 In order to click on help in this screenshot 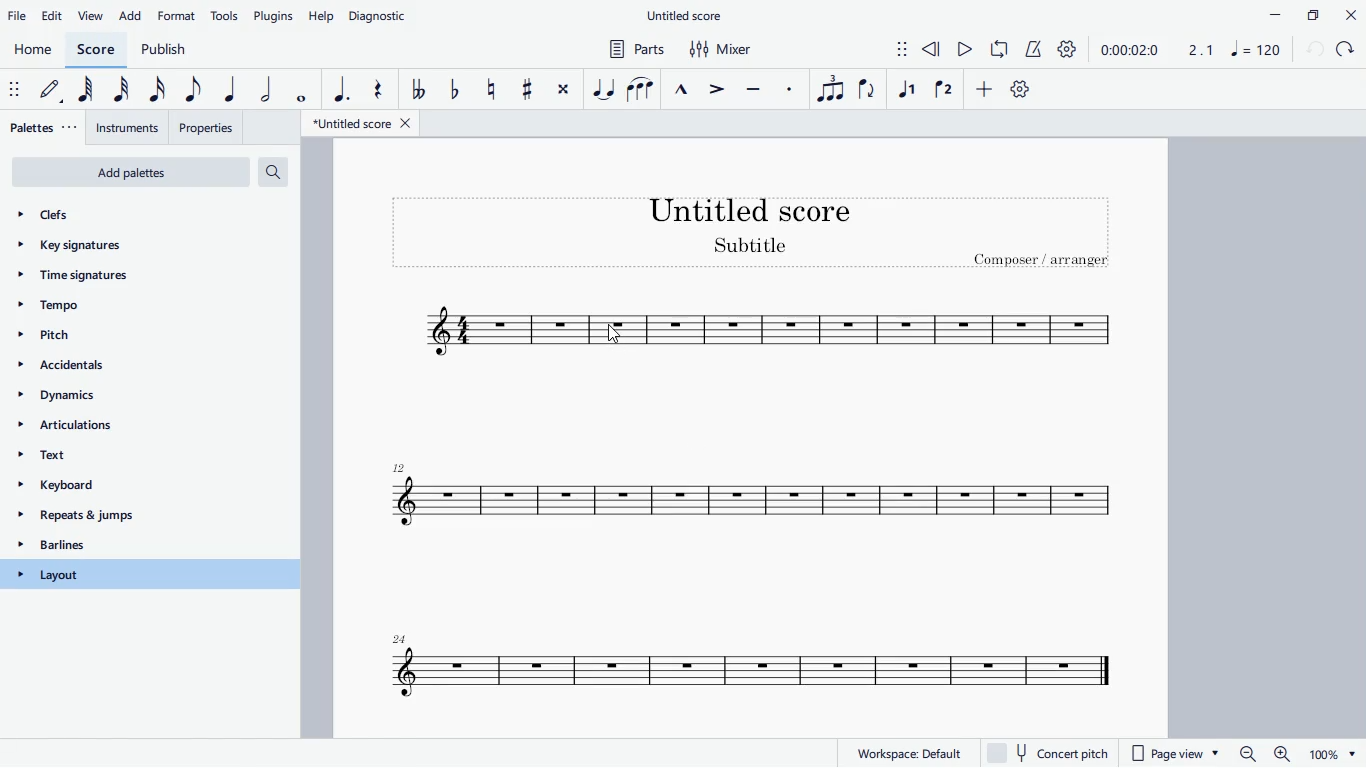, I will do `click(323, 15)`.